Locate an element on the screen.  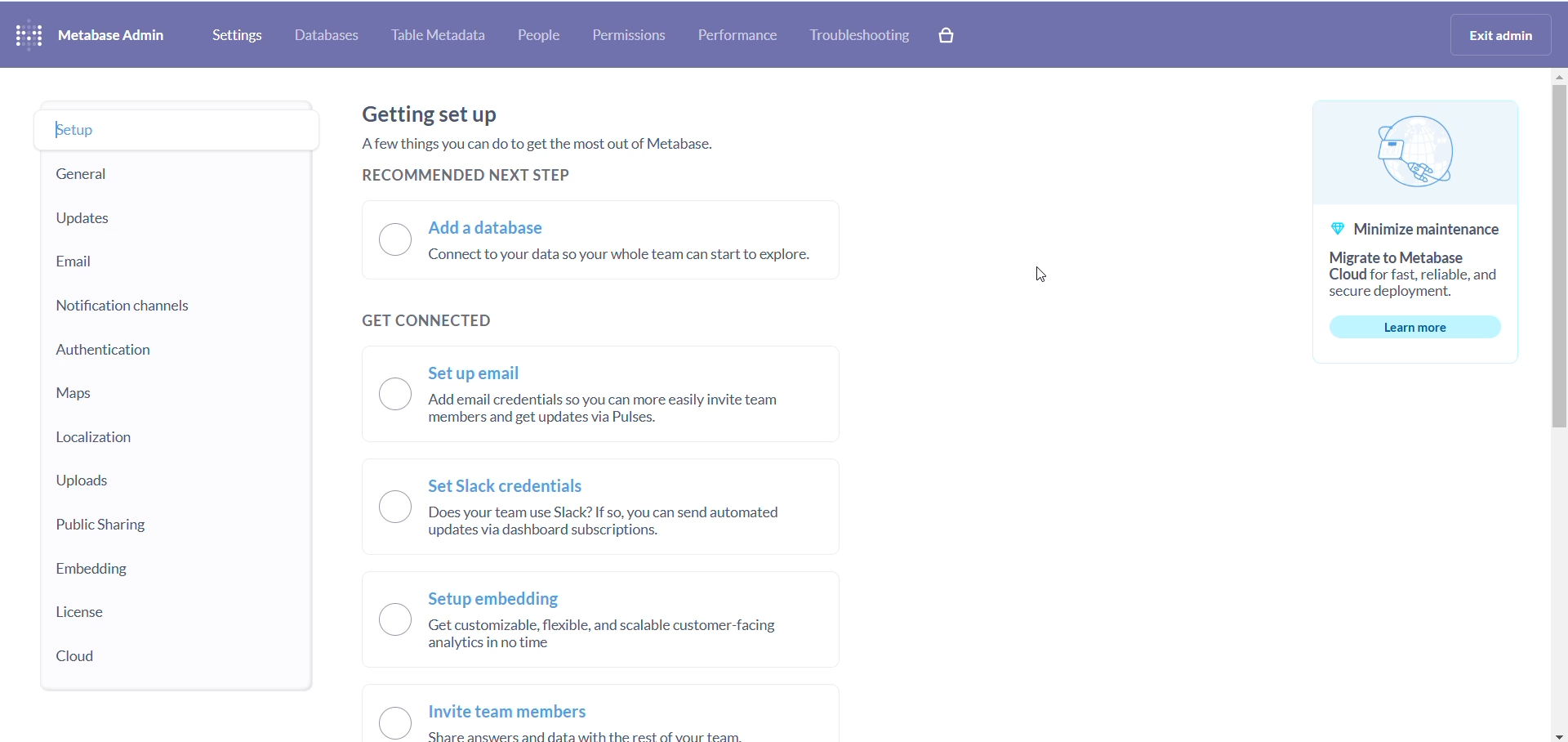
permissions is located at coordinates (630, 35).